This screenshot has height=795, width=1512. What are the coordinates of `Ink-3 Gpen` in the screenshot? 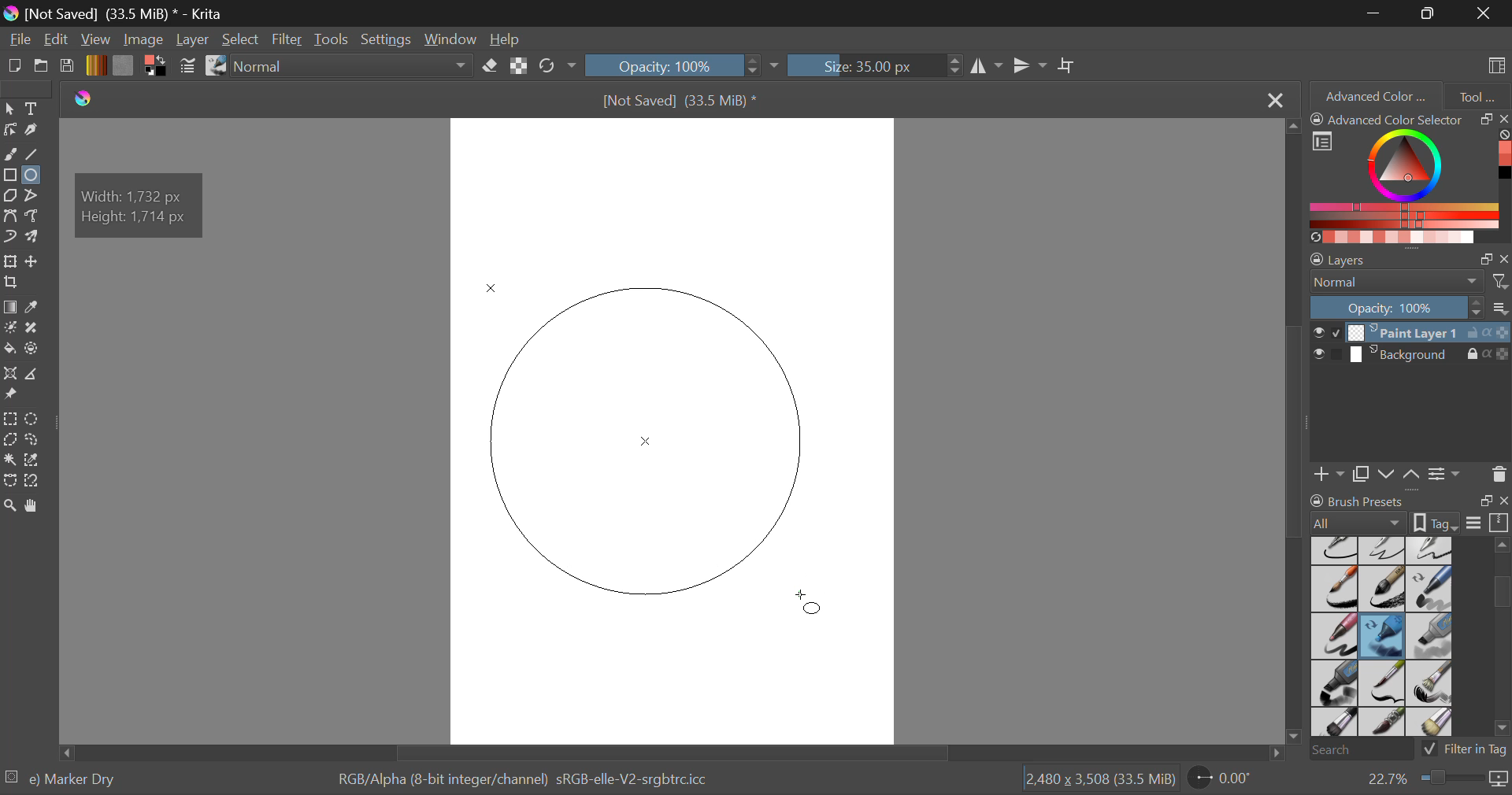 It's located at (1384, 550).